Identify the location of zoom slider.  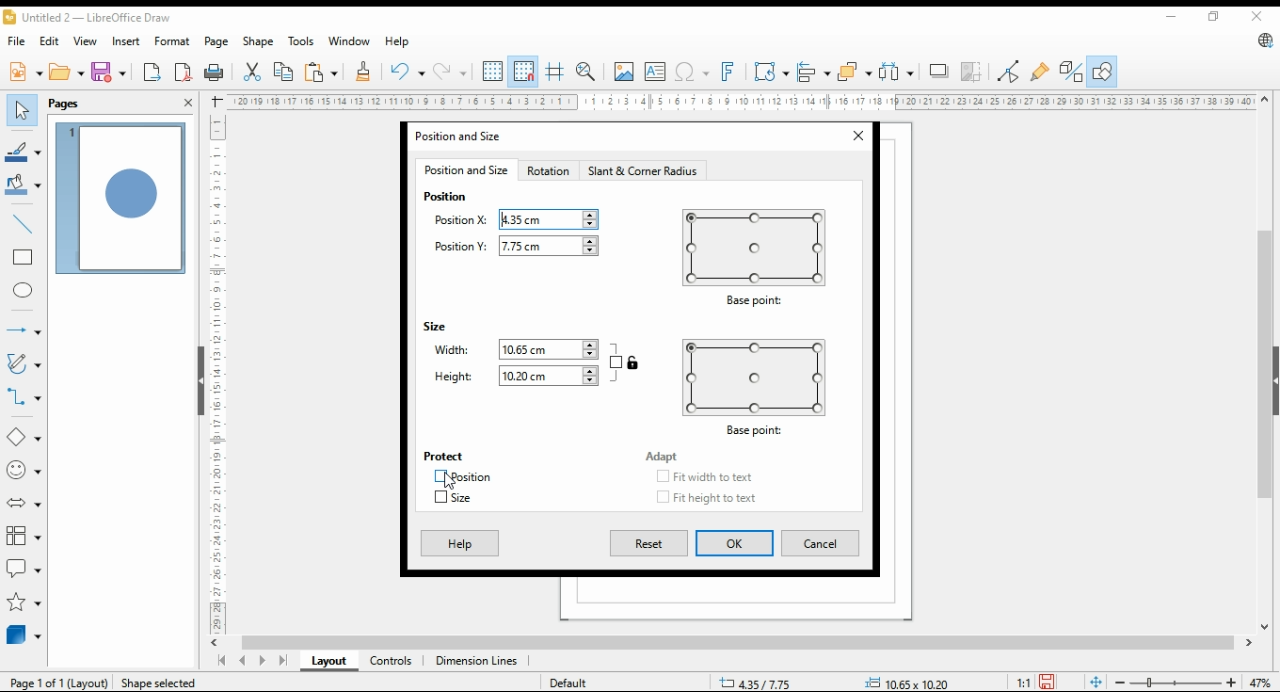
(1176, 681).